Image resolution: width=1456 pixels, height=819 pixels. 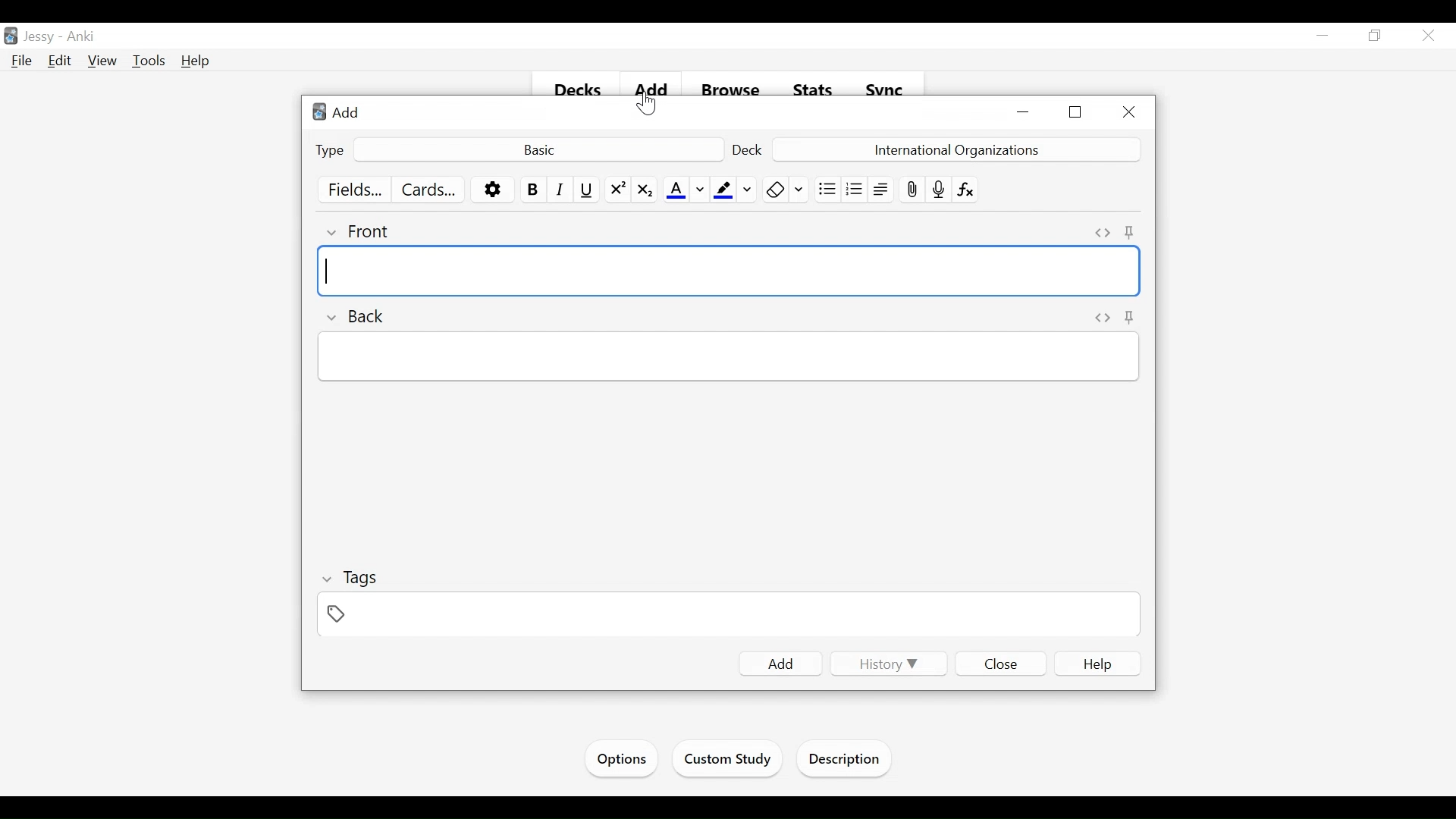 What do you see at coordinates (912, 189) in the screenshot?
I see `Attach pictures` at bounding box center [912, 189].